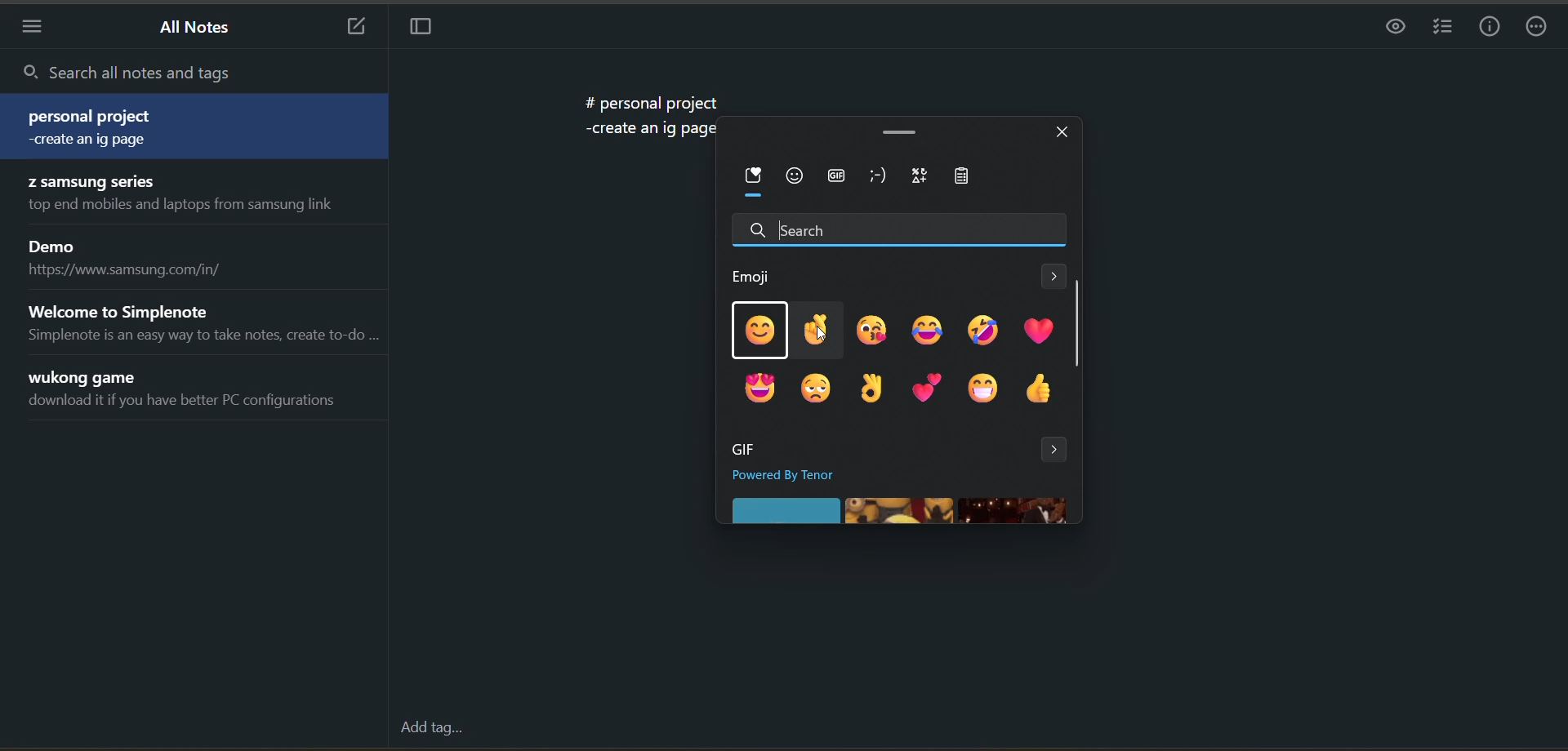 This screenshot has width=1568, height=751. I want to click on close, so click(1064, 135).